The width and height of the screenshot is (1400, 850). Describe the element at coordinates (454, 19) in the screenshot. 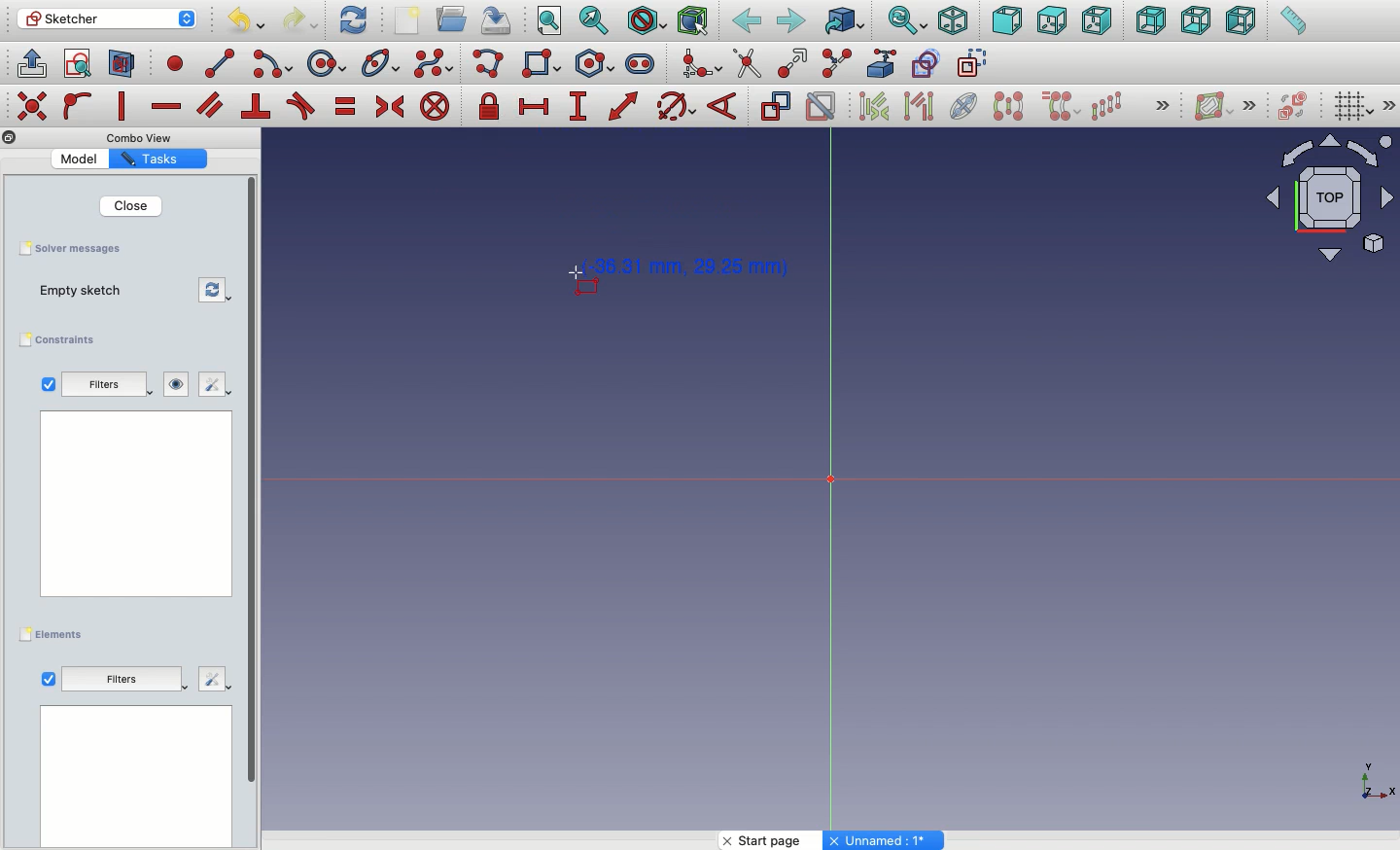

I see `Open` at that location.